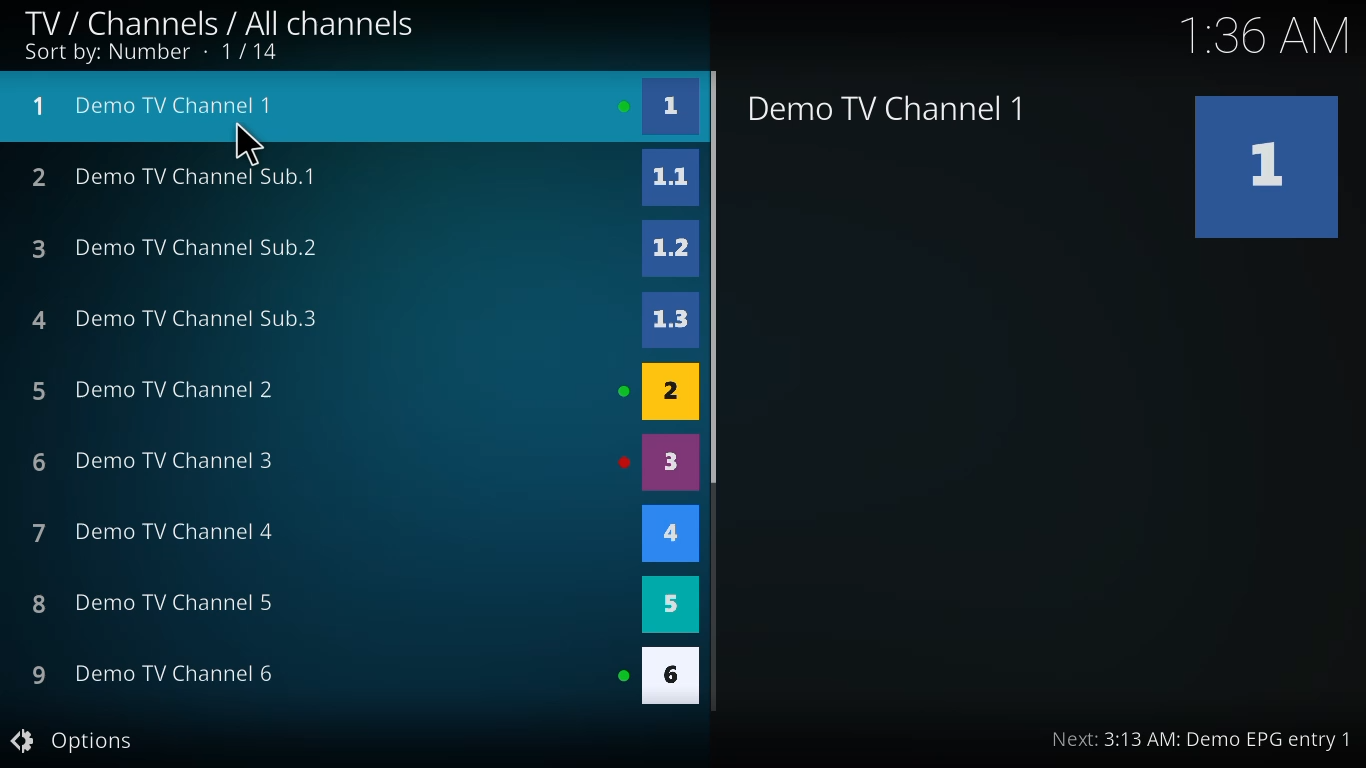  Describe the element at coordinates (154, 531) in the screenshot. I see `demo channel 4` at that location.